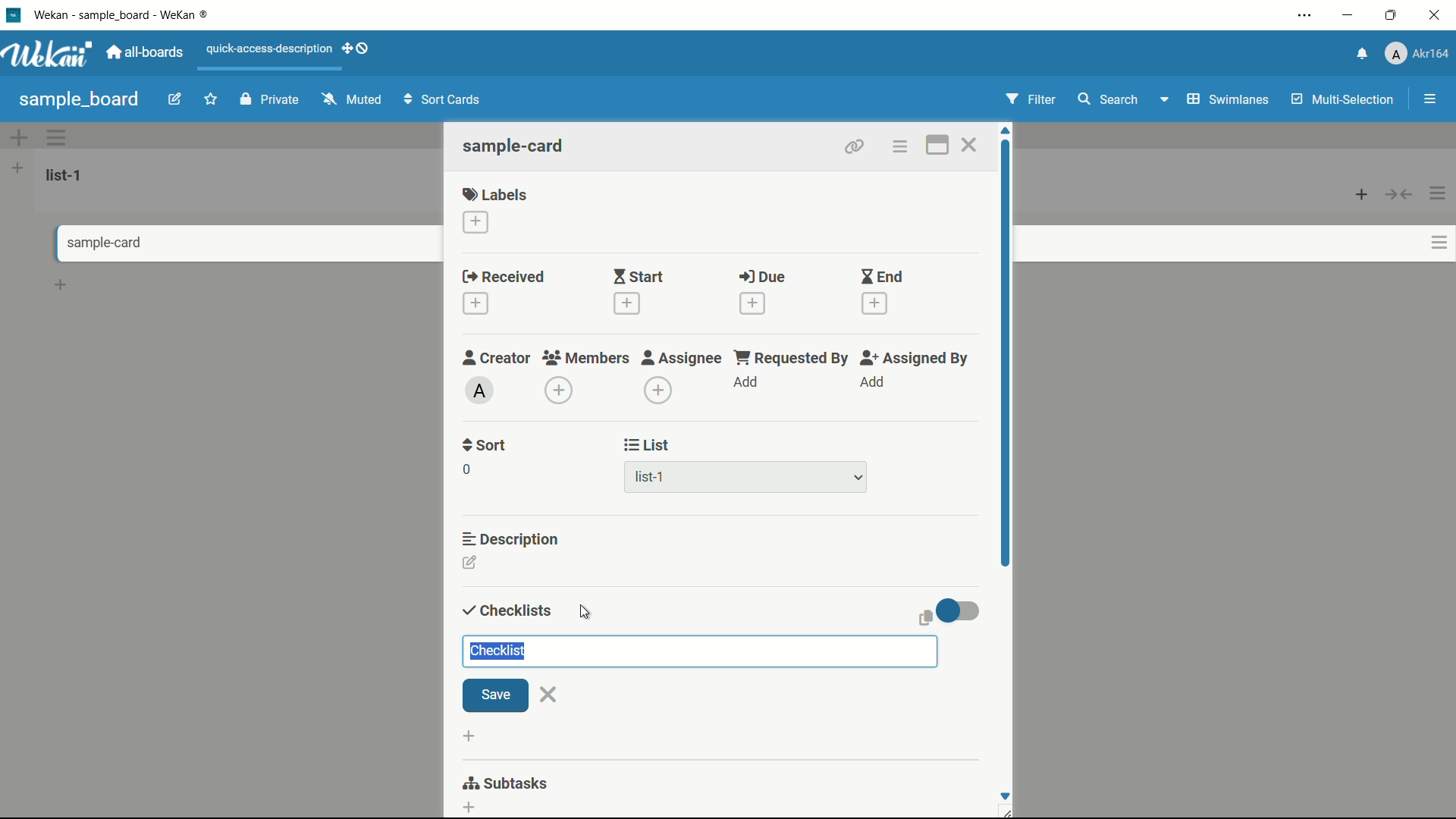 The image size is (1456, 819). What do you see at coordinates (497, 357) in the screenshot?
I see `creator` at bounding box center [497, 357].